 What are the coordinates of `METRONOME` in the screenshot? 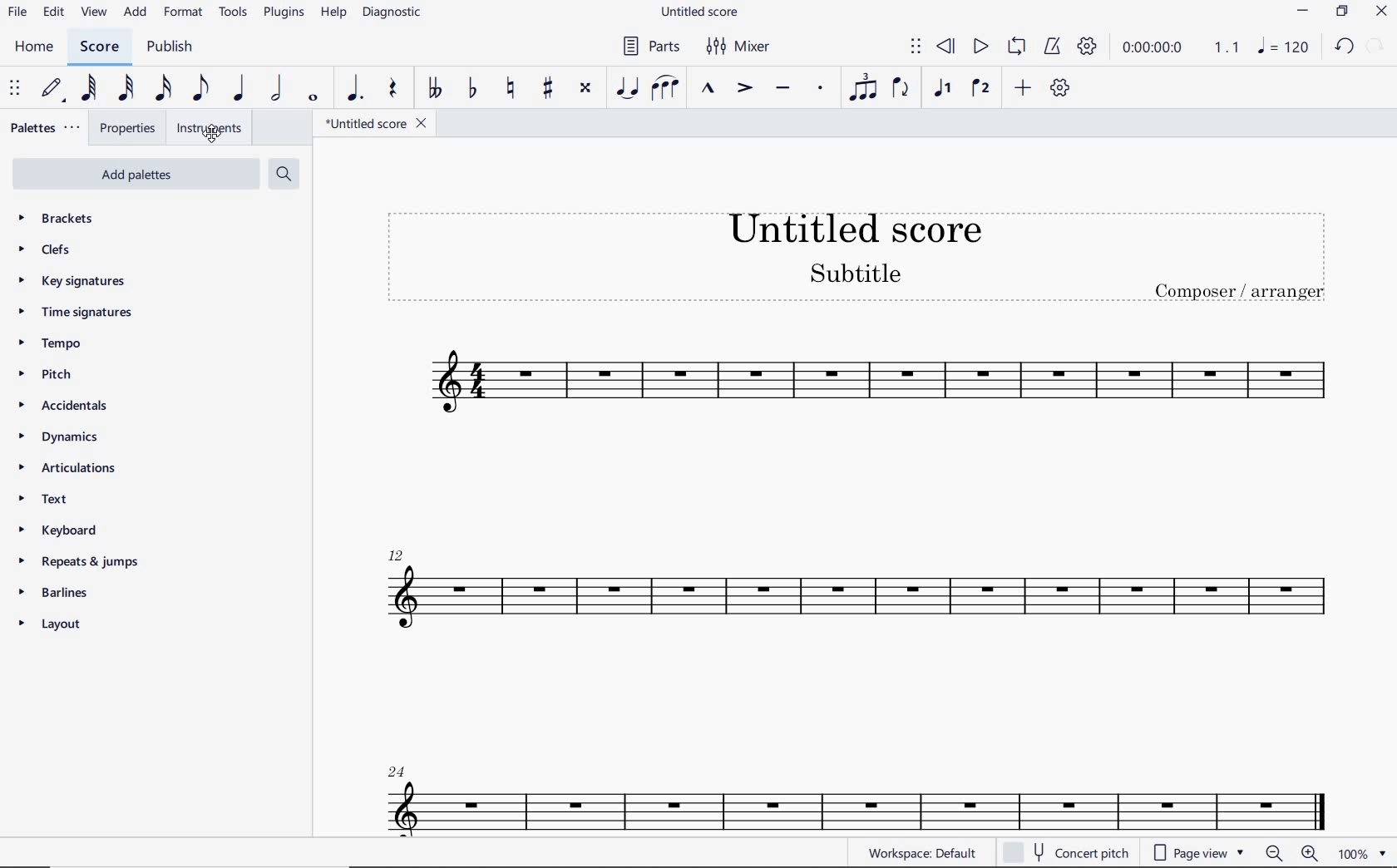 It's located at (1054, 47).